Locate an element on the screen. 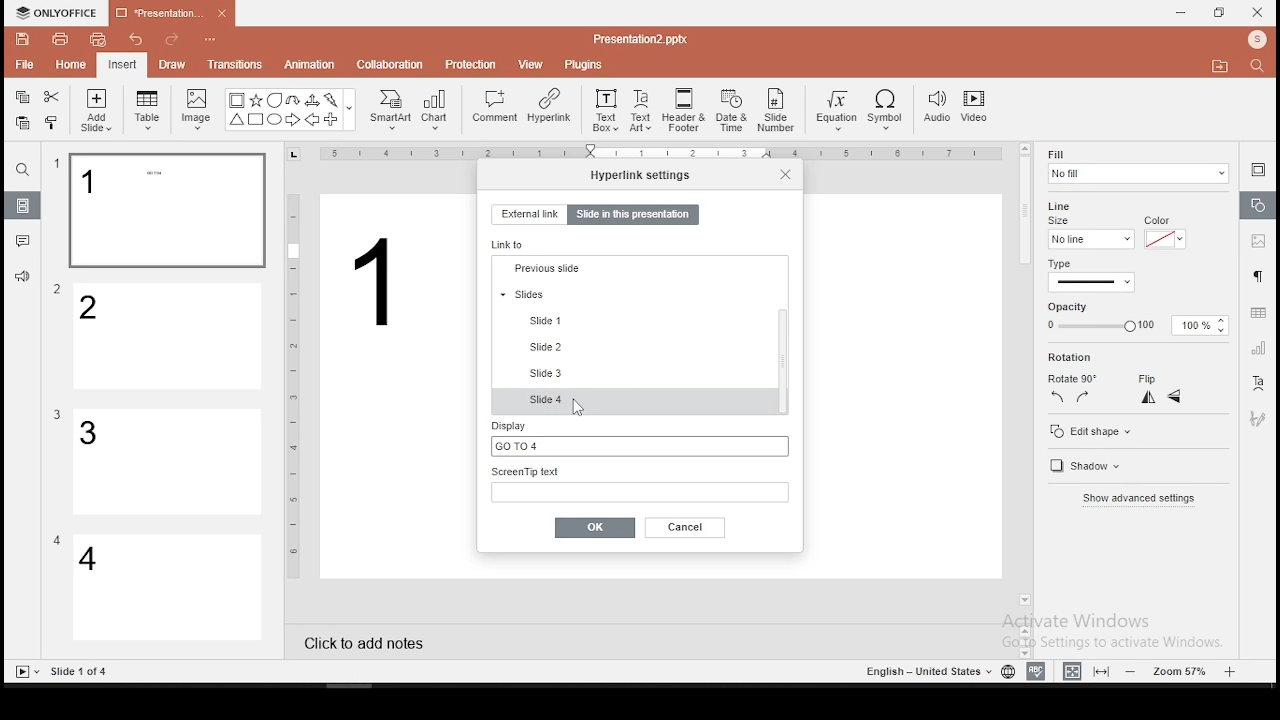 Image resolution: width=1280 pixels, height=720 pixels. slide in this presentation is located at coordinates (633, 216).